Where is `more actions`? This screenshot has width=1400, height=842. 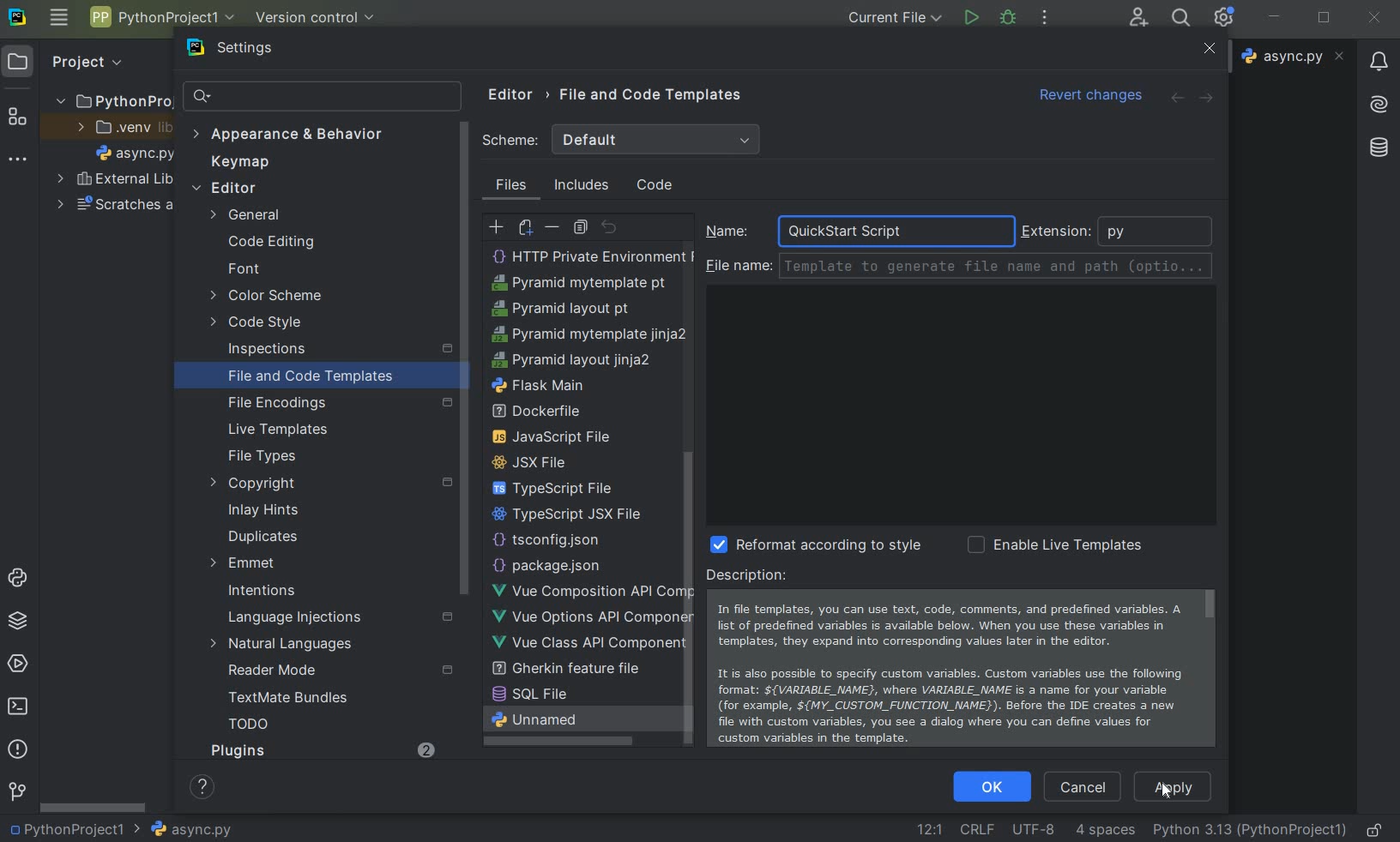
more actions is located at coordinates (1044, 20).